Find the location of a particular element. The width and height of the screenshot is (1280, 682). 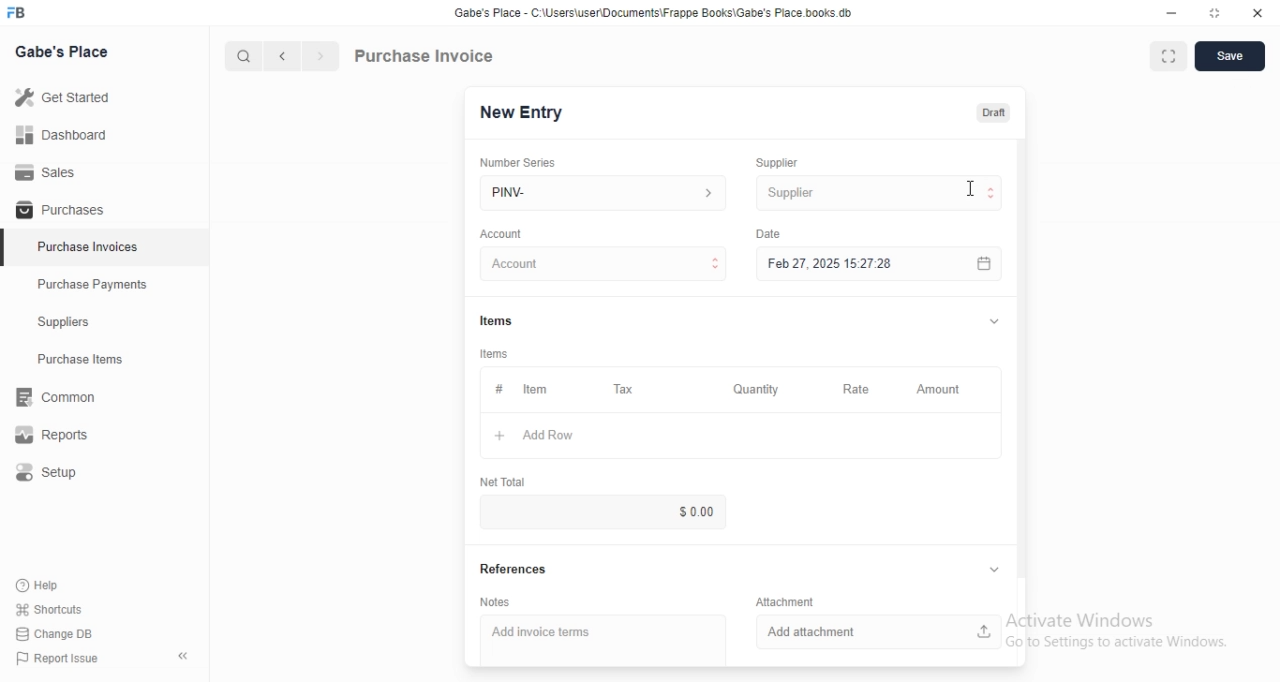

Add invoice terms is located at coordinates (603, 640).